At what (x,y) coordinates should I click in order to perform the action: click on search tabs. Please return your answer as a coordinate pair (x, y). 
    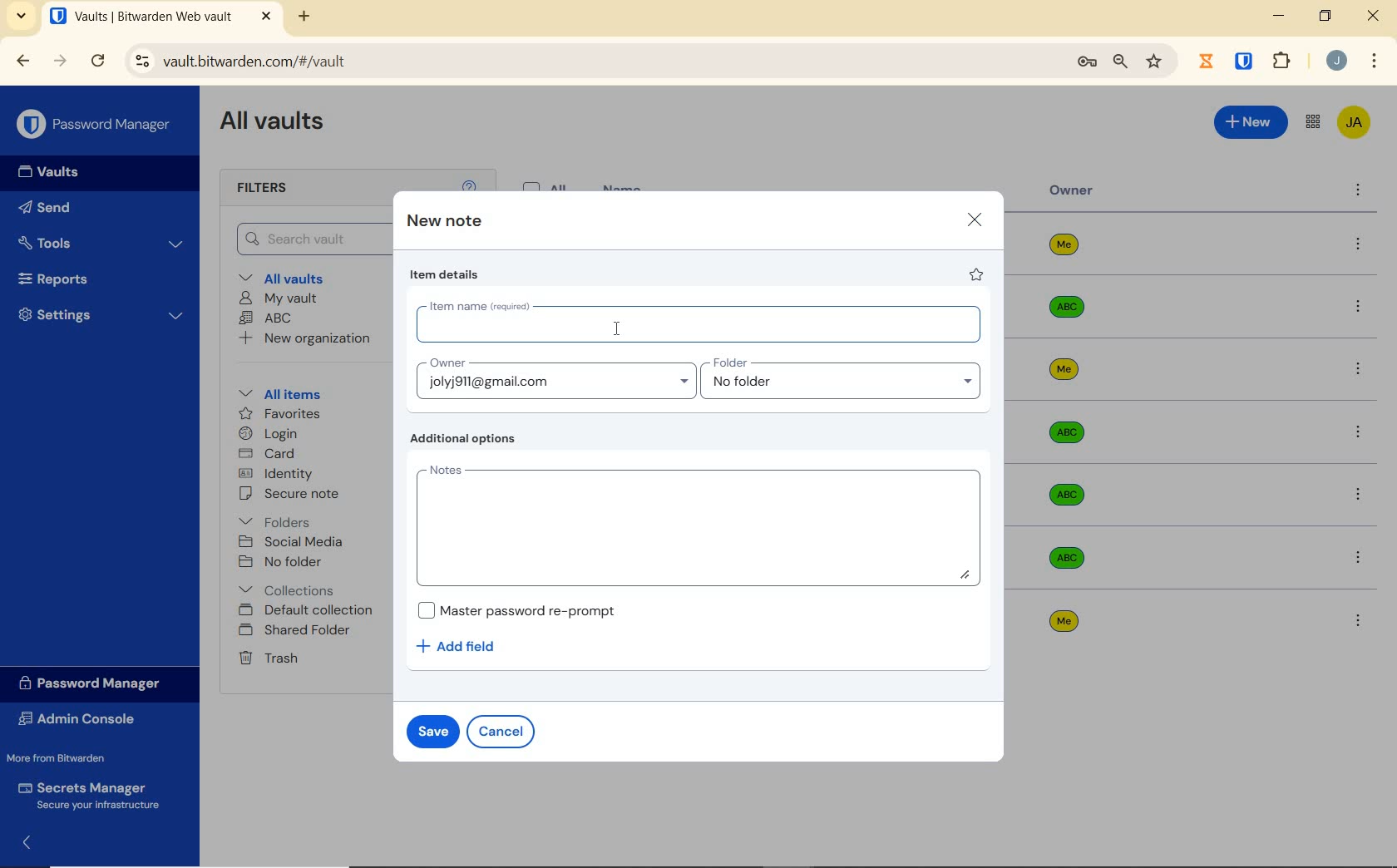
    Looking at the image, I should click on (22, 16).